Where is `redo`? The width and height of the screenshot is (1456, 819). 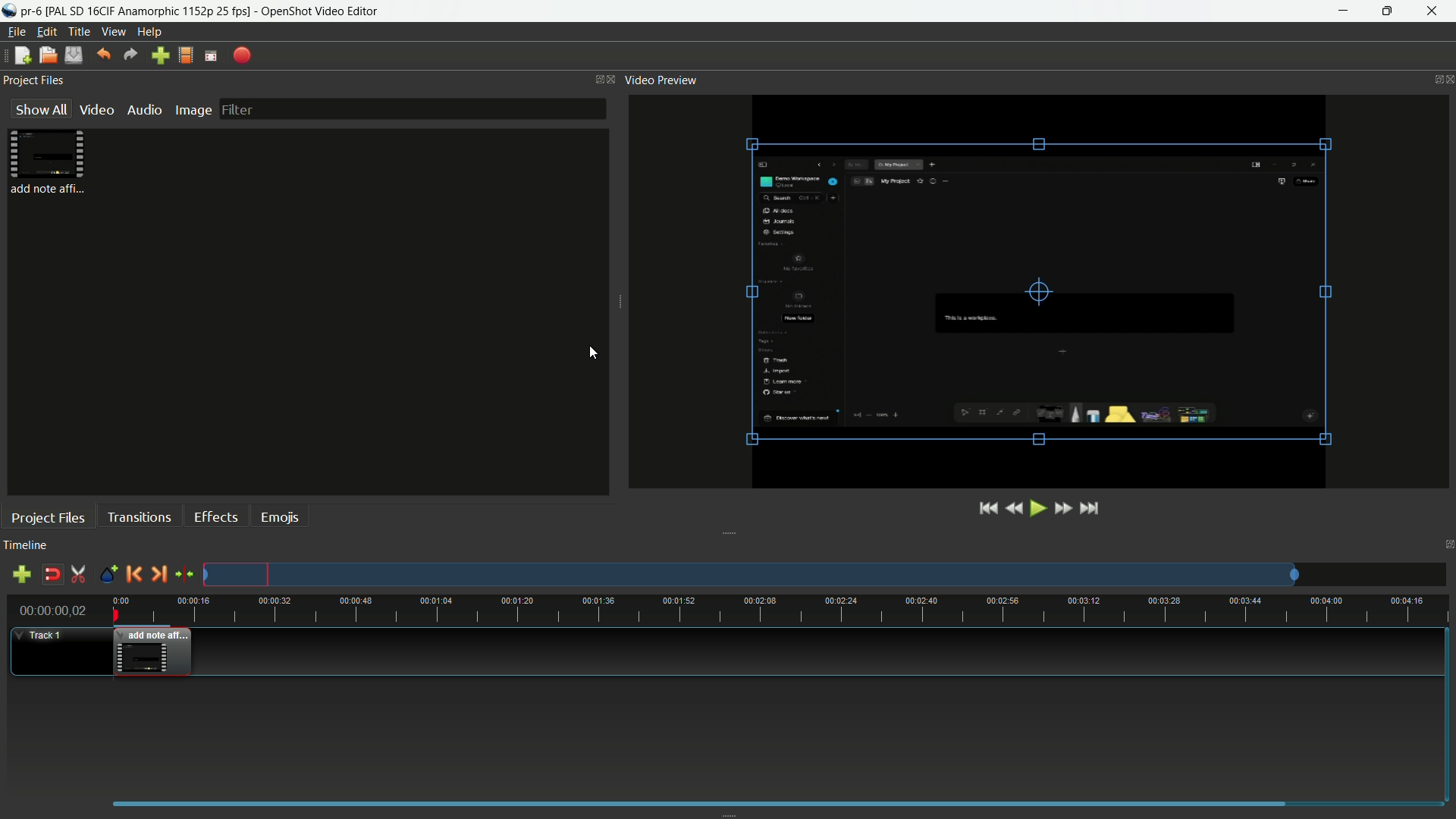
redo is located at coordinates (131, 55).